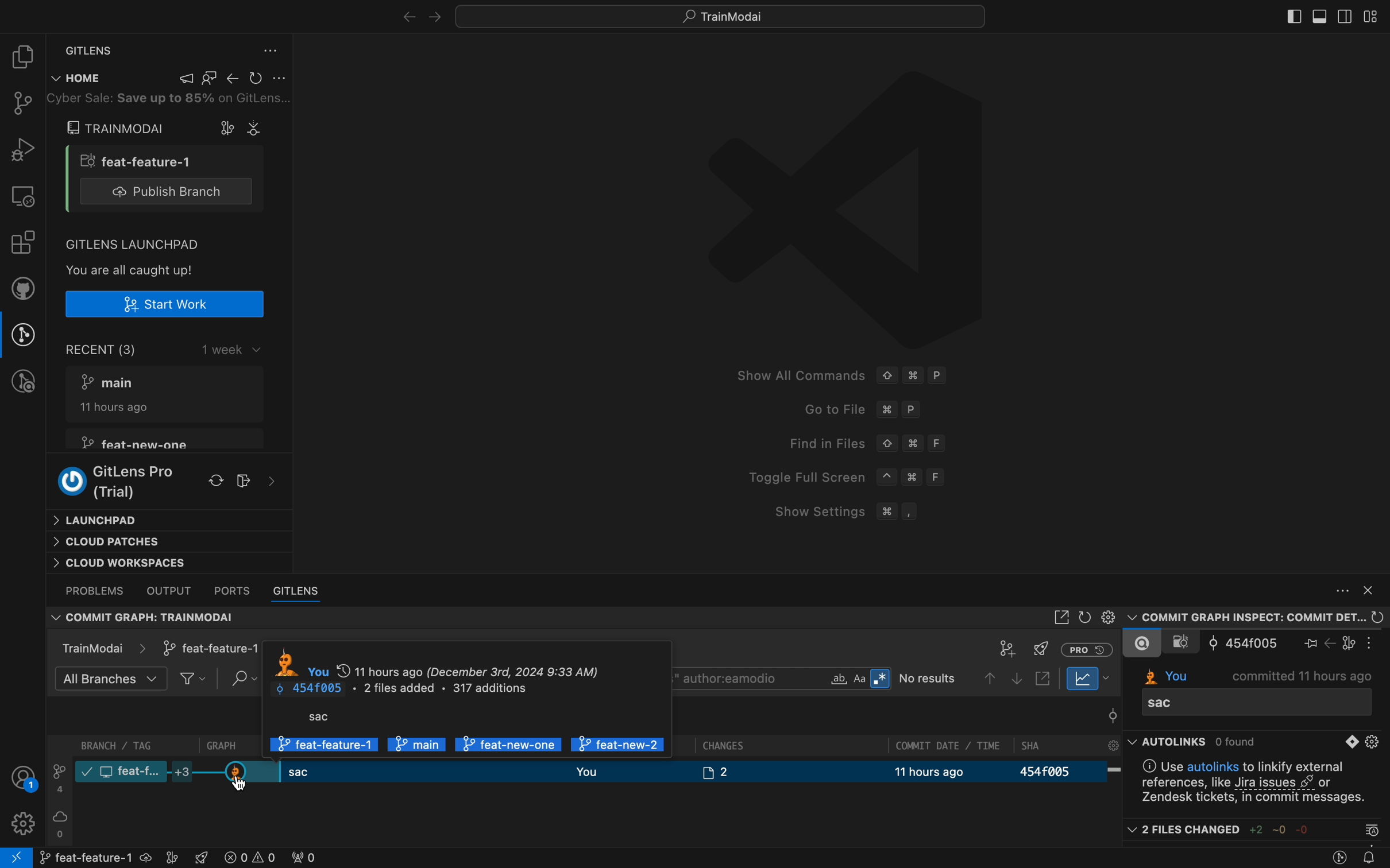 This screenshot has width=1390, height=868. What do you see at coordinates (283, 79) in the screenshot?
I see `` at bounding box center [283, 79].